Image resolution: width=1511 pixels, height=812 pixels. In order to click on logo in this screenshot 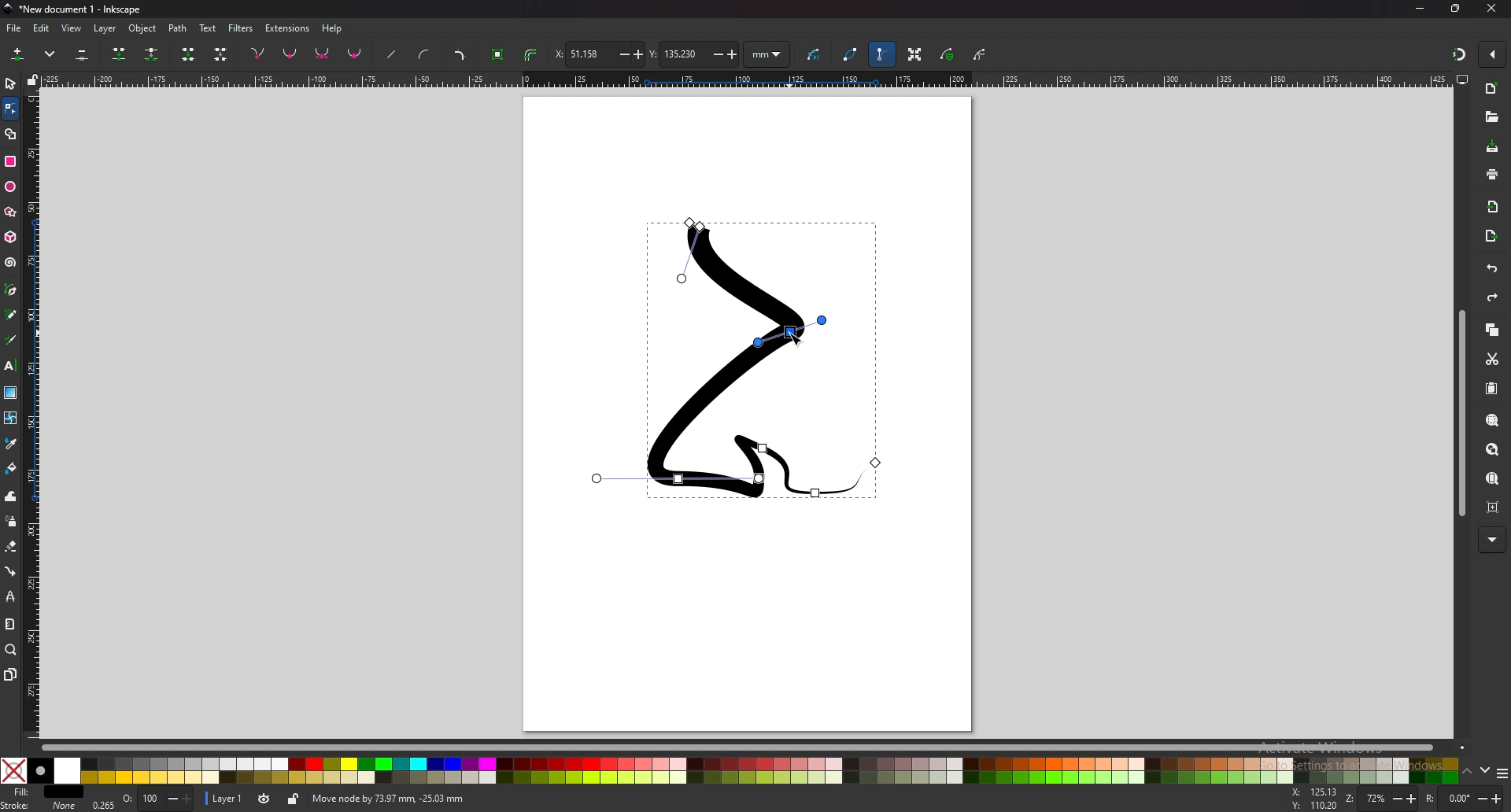, I will do `click(9, 9)`.